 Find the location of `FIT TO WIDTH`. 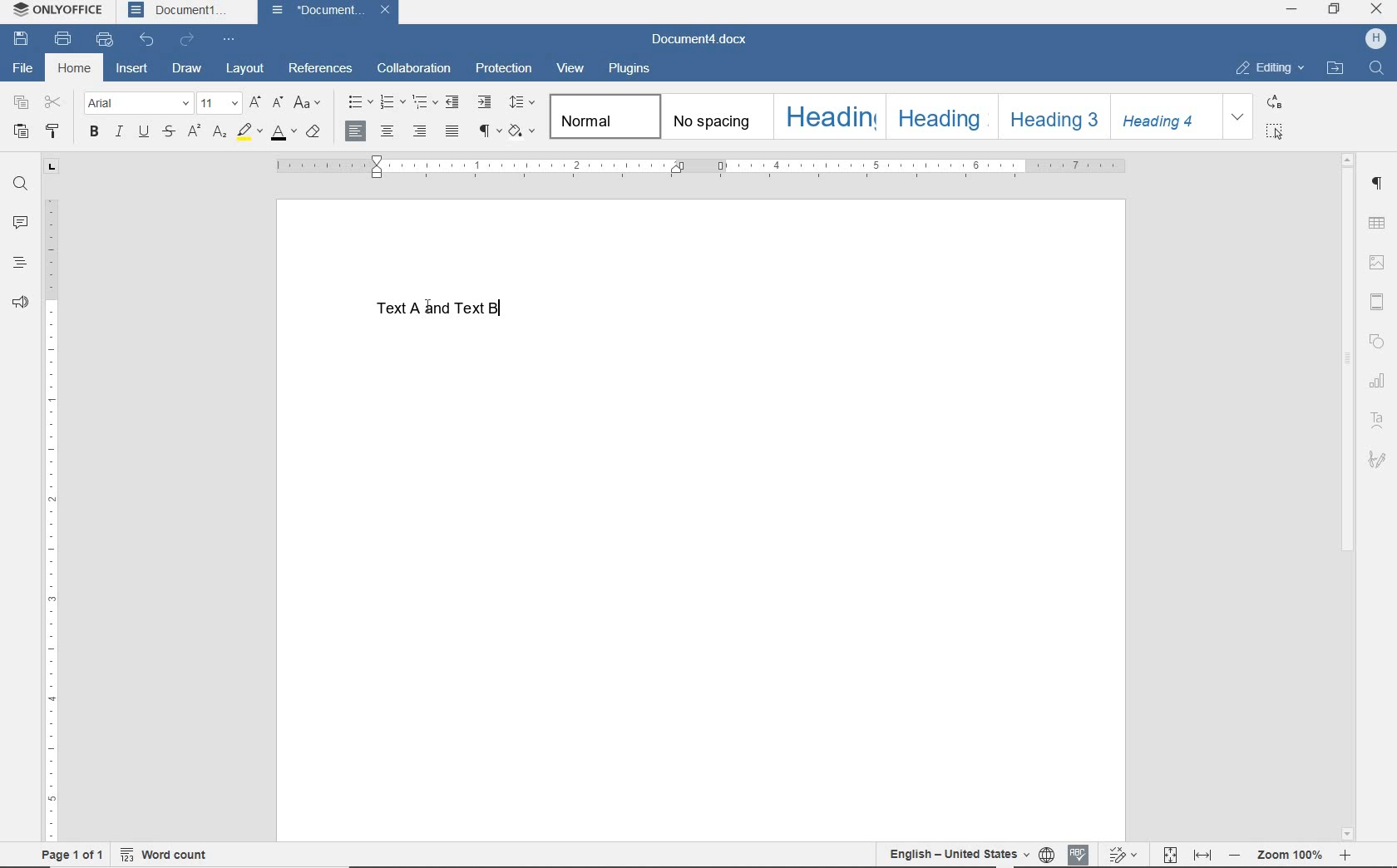

FIT TO WIDTH is located at coordinates (1204, 853).